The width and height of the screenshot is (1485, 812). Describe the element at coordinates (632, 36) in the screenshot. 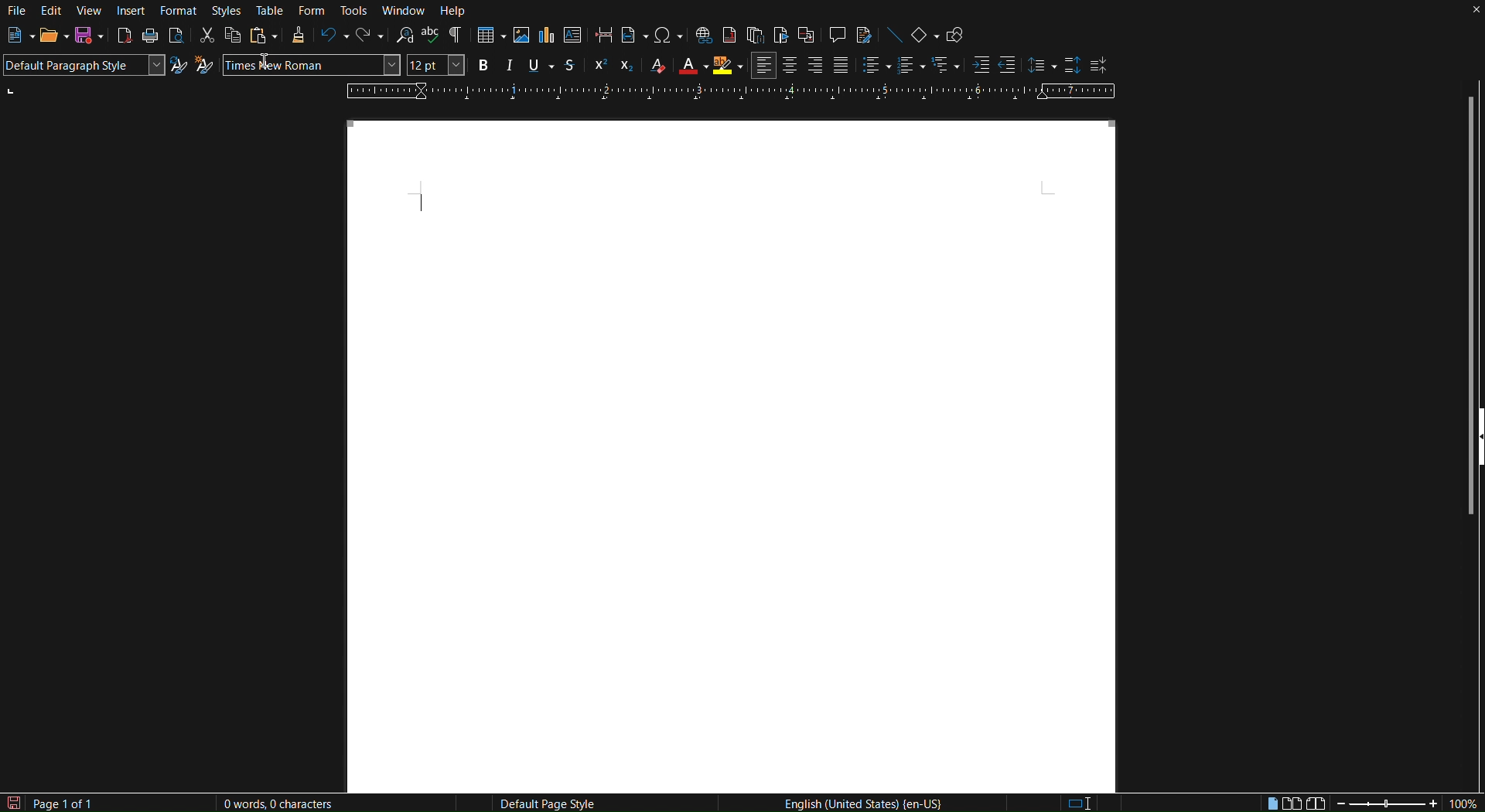

I see `Insert Field` at that location.